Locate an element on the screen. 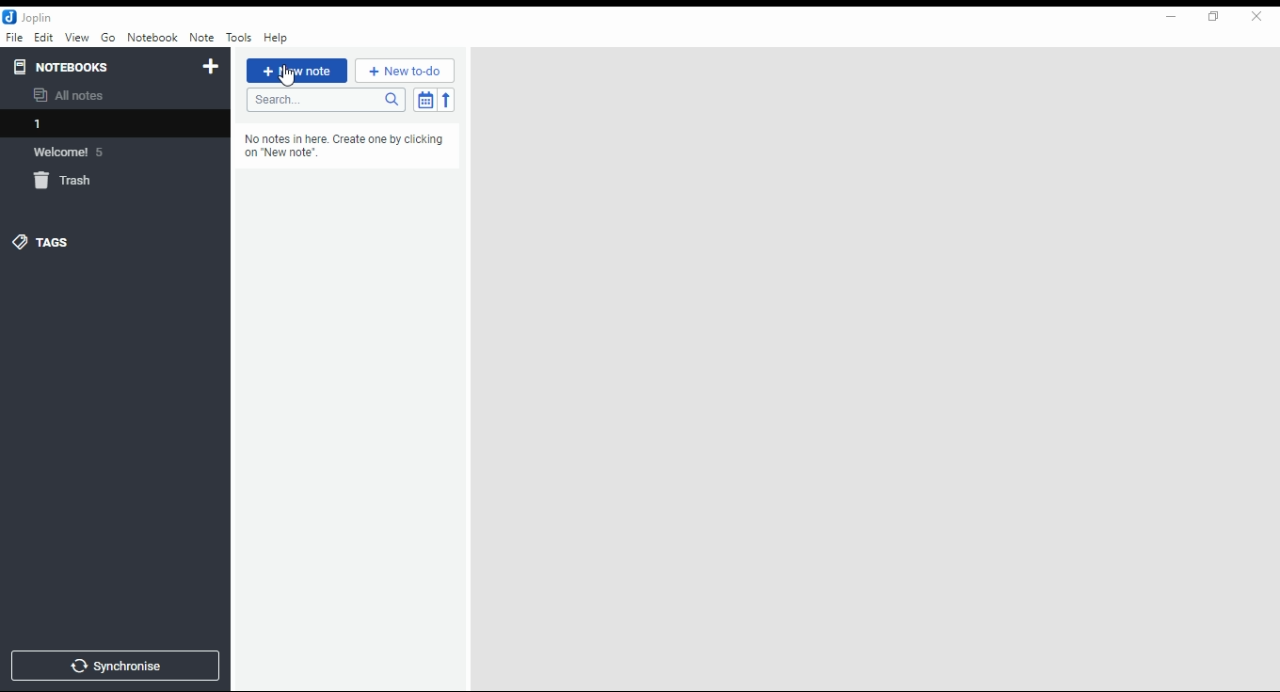 The width and height of the screenshot is (1280, 692). file is located at coordinates (14, 38).